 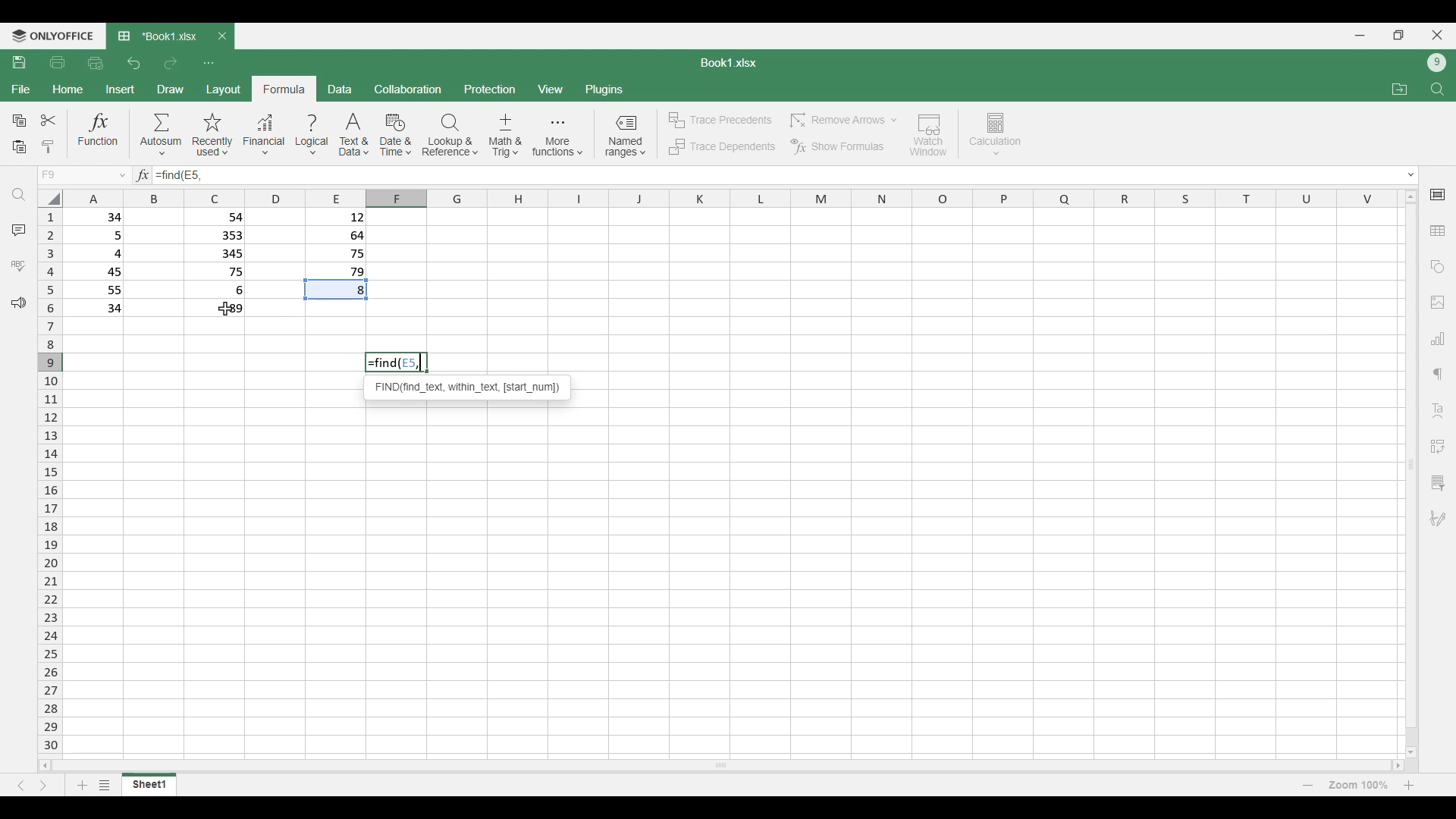 What do you see at coordinates (1437, 447) in the screenshot?
I see `Insert pivot table` at bounding box center [1437, 447].